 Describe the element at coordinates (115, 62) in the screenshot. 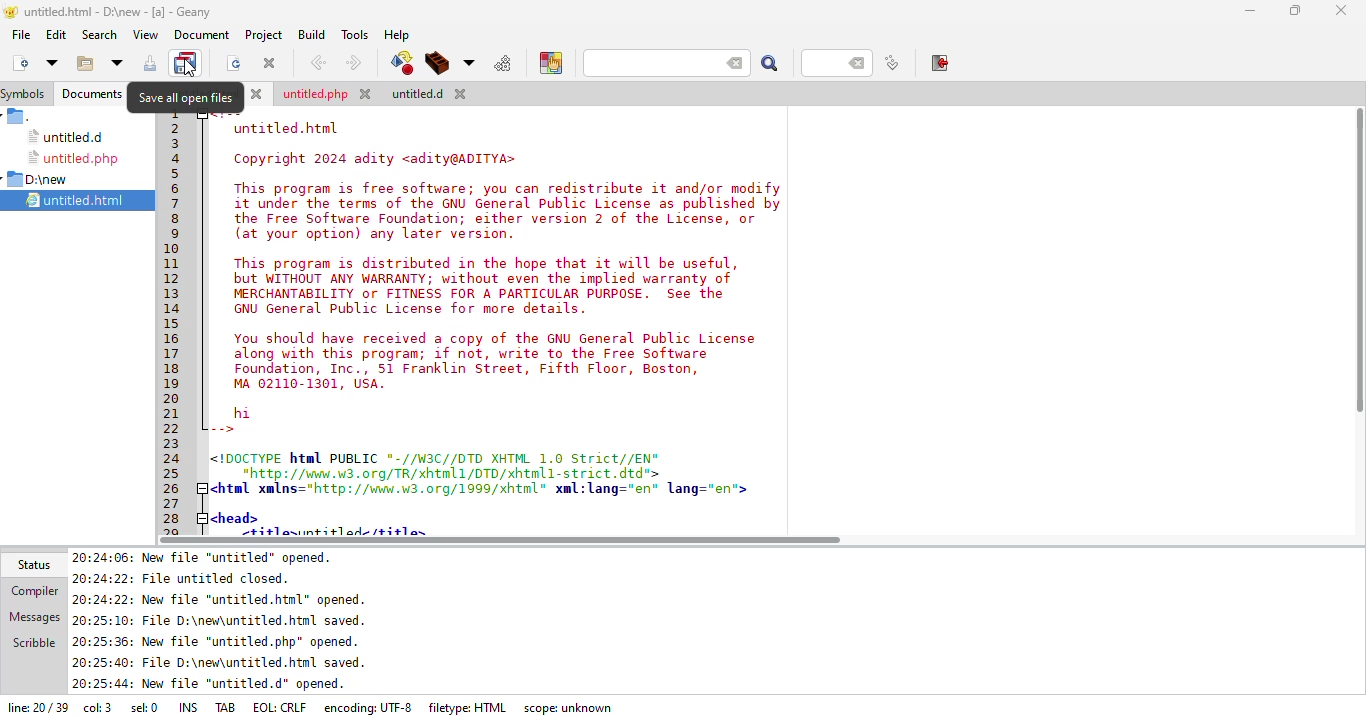

I see `open` at that location.